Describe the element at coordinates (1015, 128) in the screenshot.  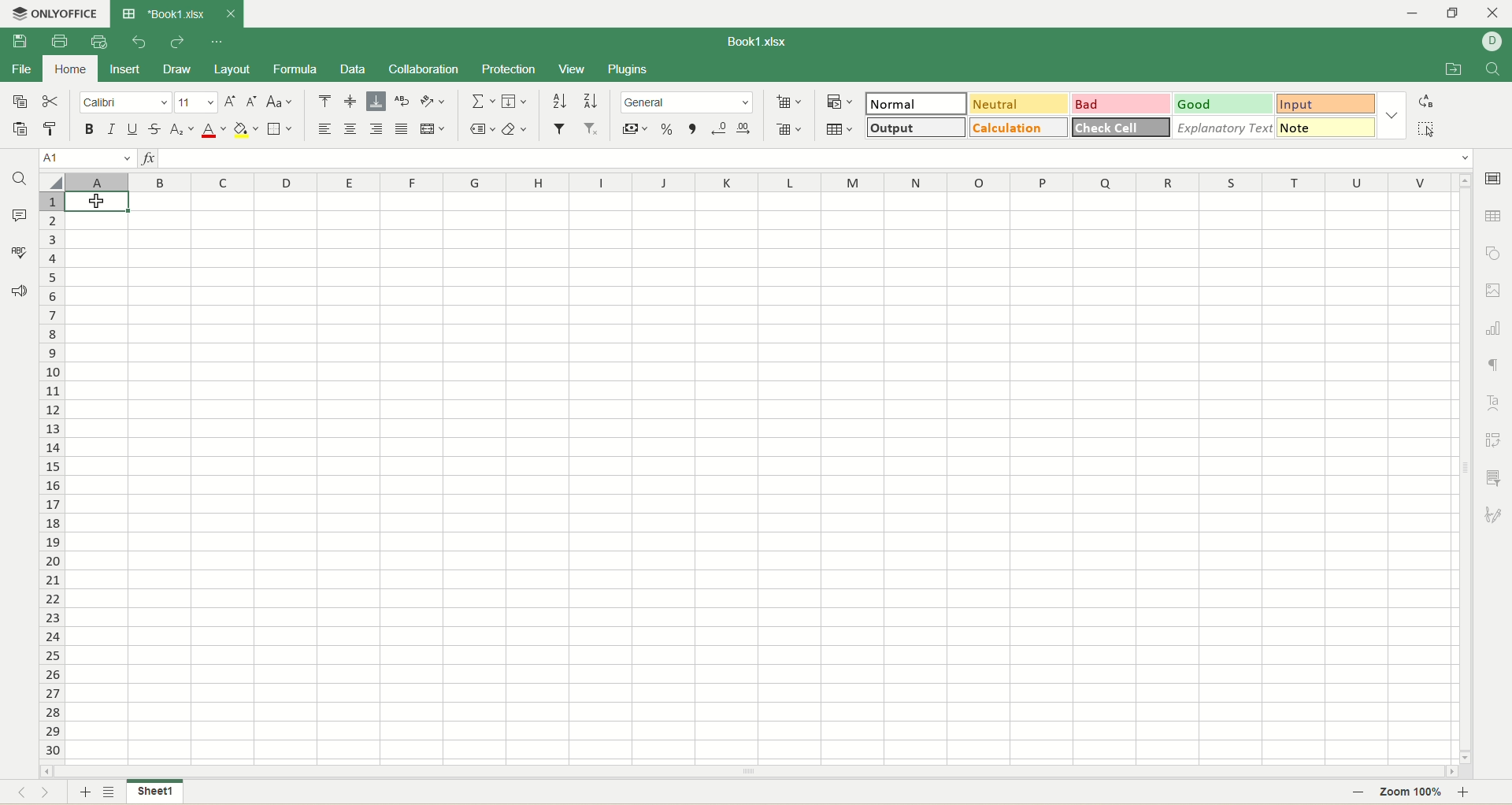
I see `calculation` at that location.